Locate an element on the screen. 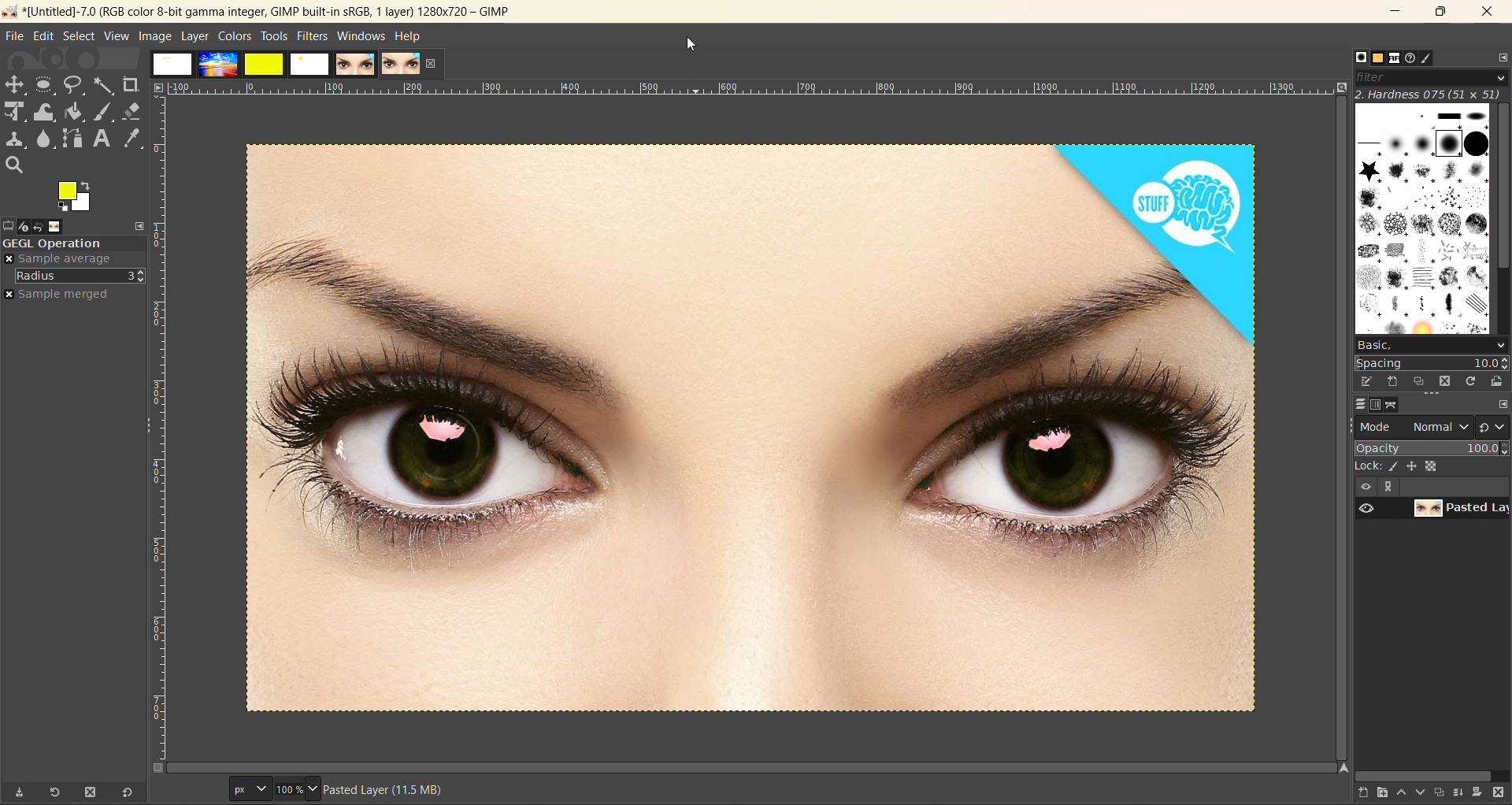  ink is located at coordinates (1394, 466).